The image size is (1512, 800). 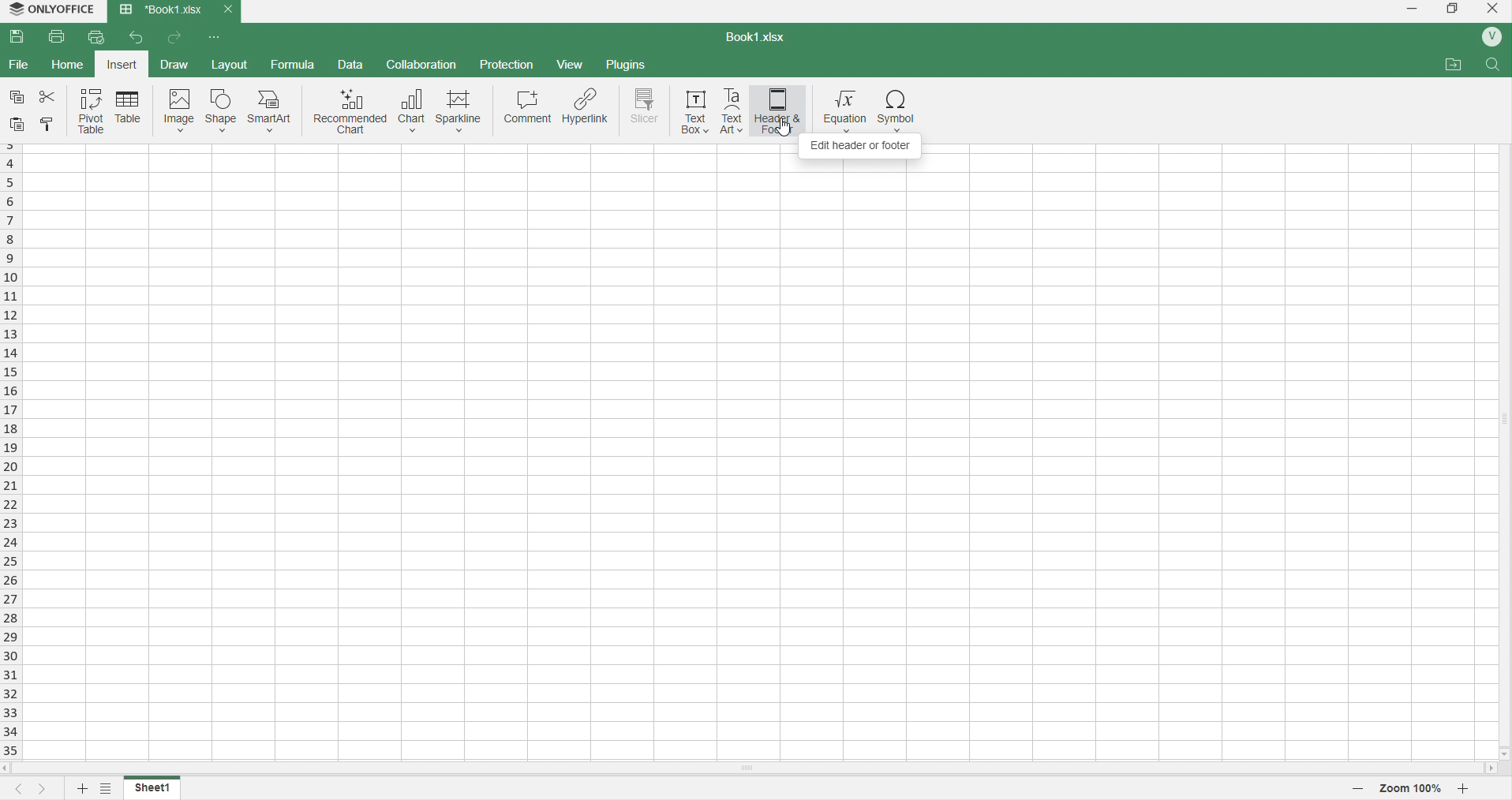 What do you see at coordinates (174, 65) in the screenshot?
I see `draw` at bounding box center [174, 65].